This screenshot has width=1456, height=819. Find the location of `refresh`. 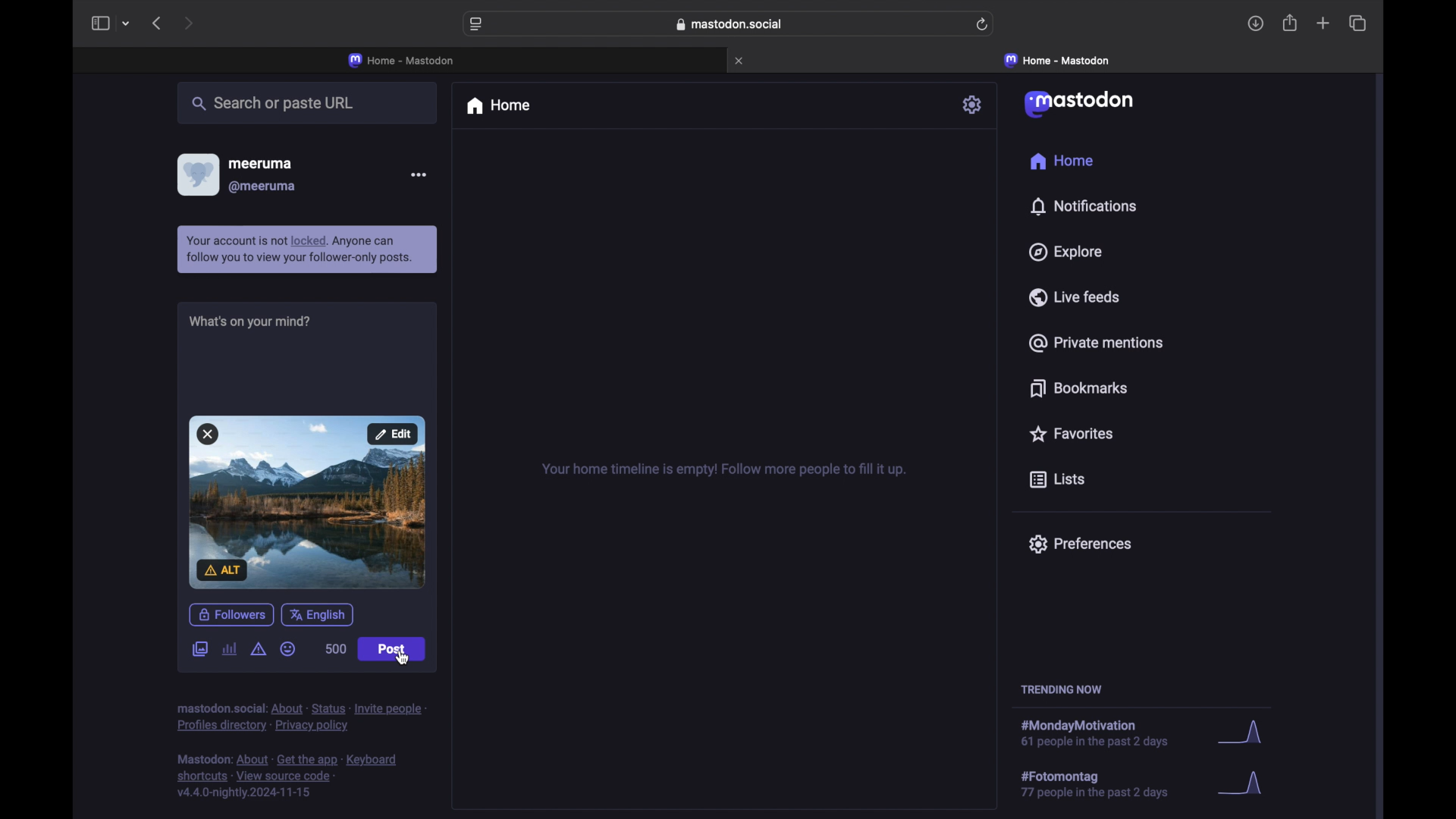

refresh is located at coordinates (983, 25).